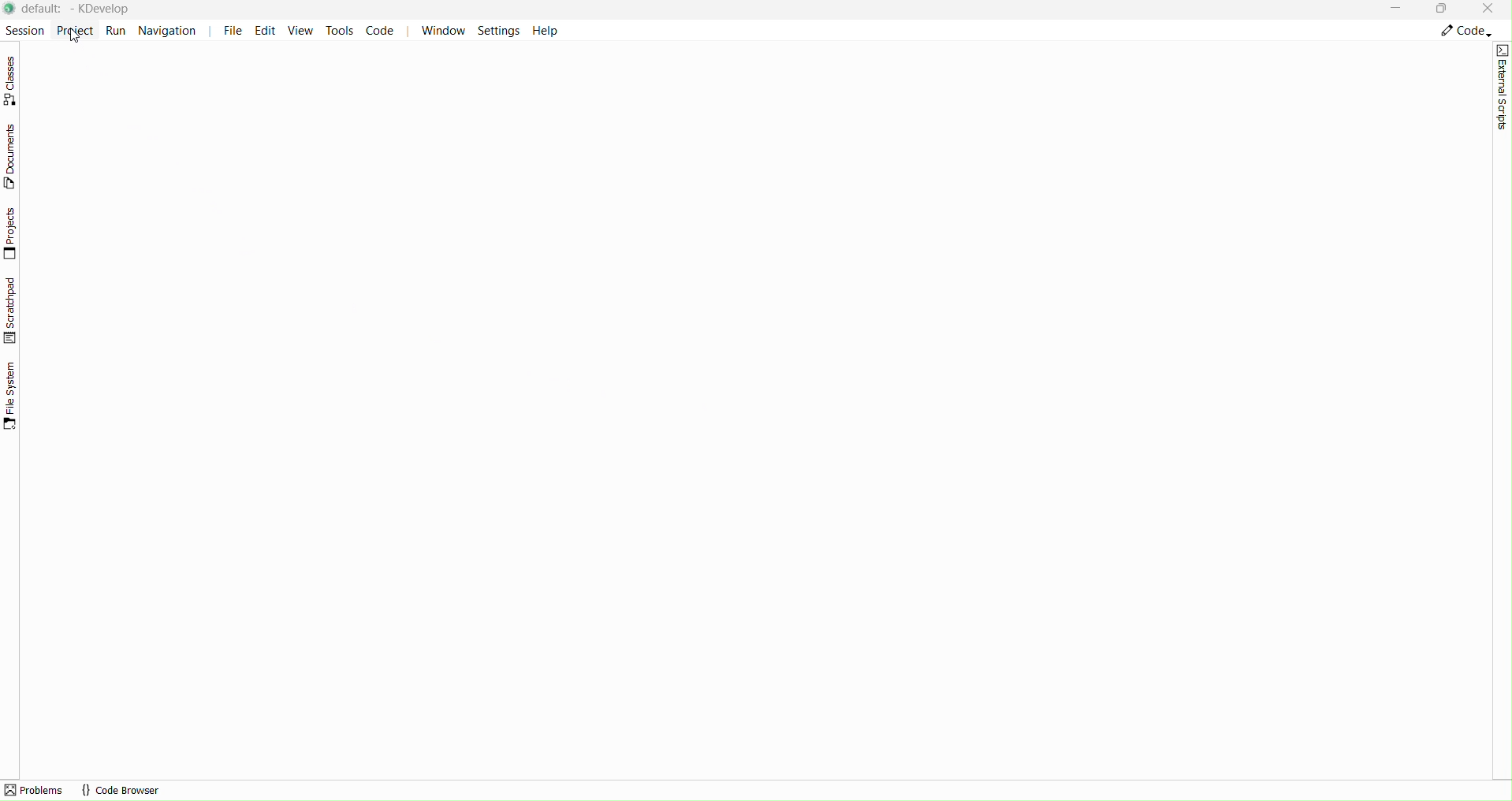 The width and height of the screenshot is (1512, 801). What do you see at coordinates (442, 30) in the screenshot?
I see `Window` at bounding box center [442, 30].